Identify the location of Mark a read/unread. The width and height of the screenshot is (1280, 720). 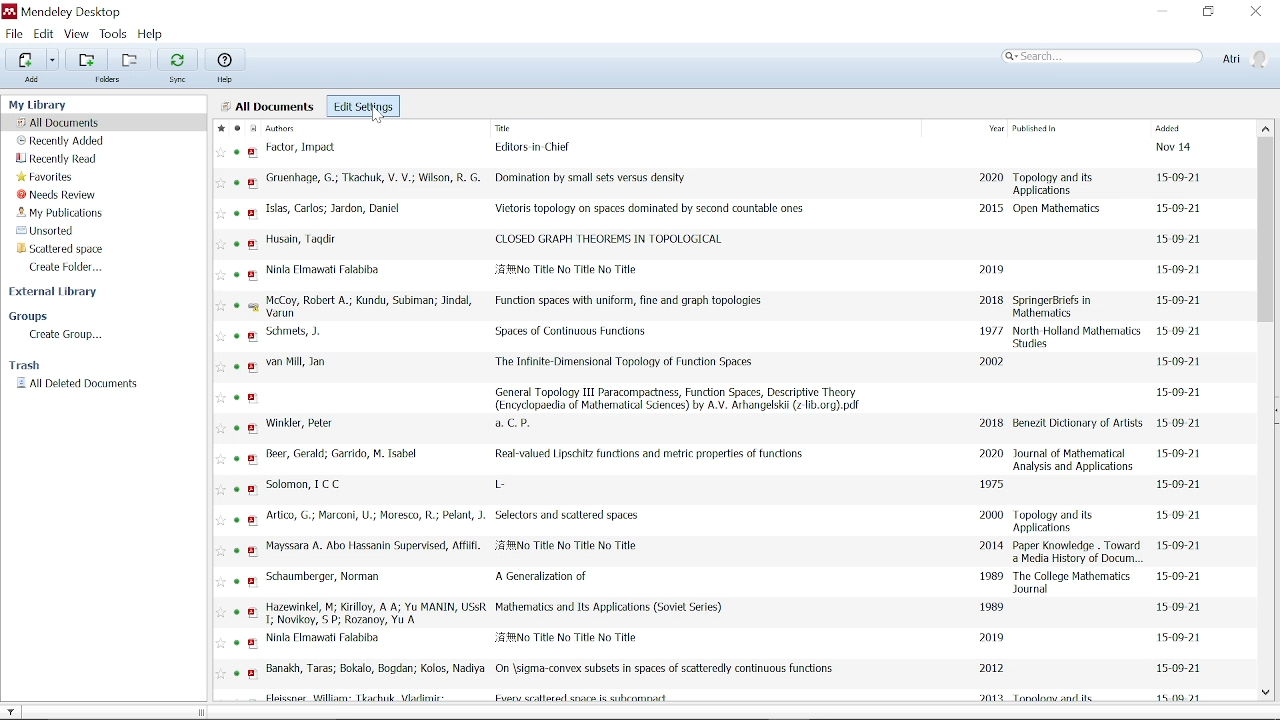
(237, 129).